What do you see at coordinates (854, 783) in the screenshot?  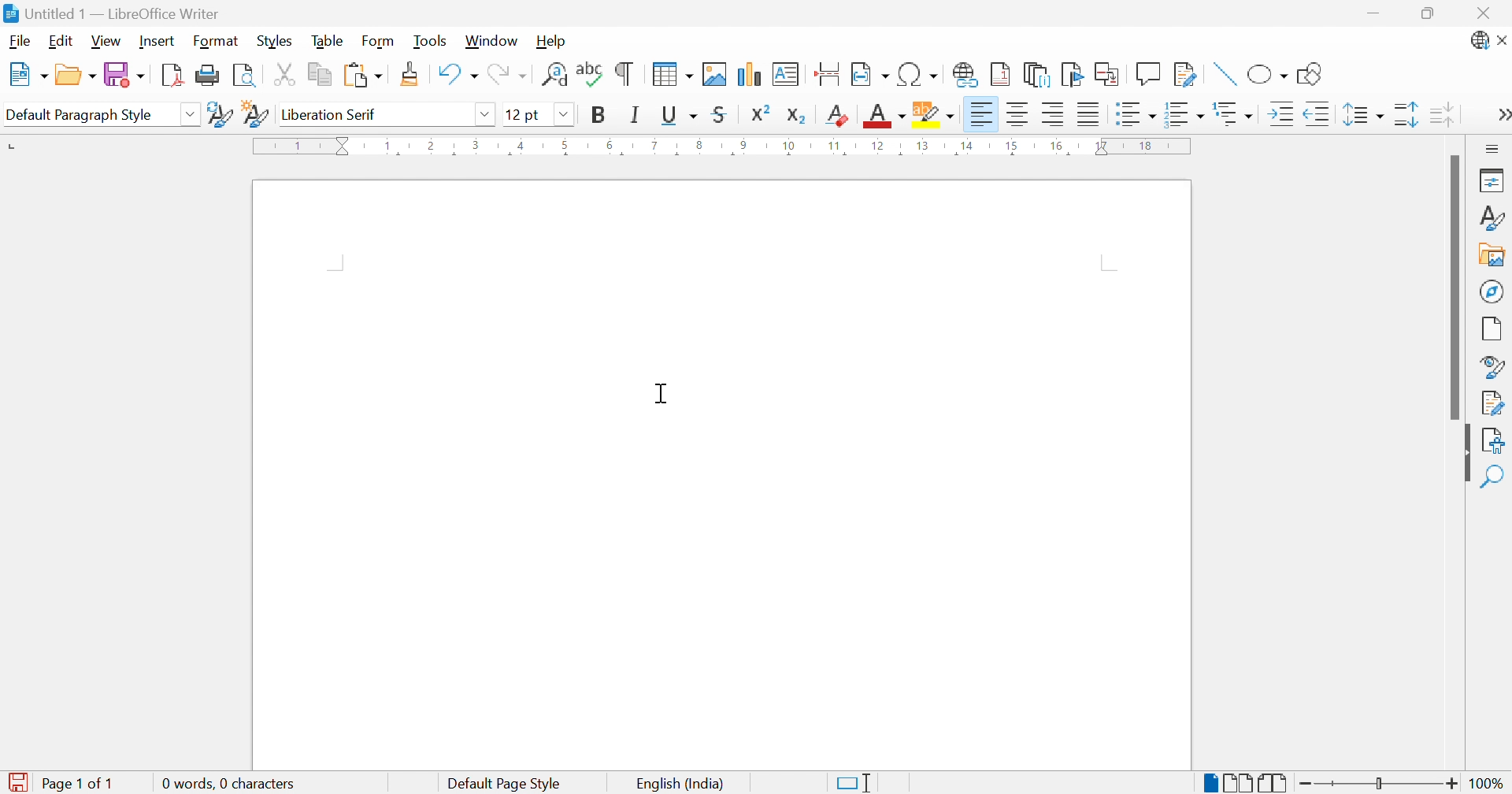 I see `Standard selection. Click to change selection mode.` at bounding box center [854, 783].